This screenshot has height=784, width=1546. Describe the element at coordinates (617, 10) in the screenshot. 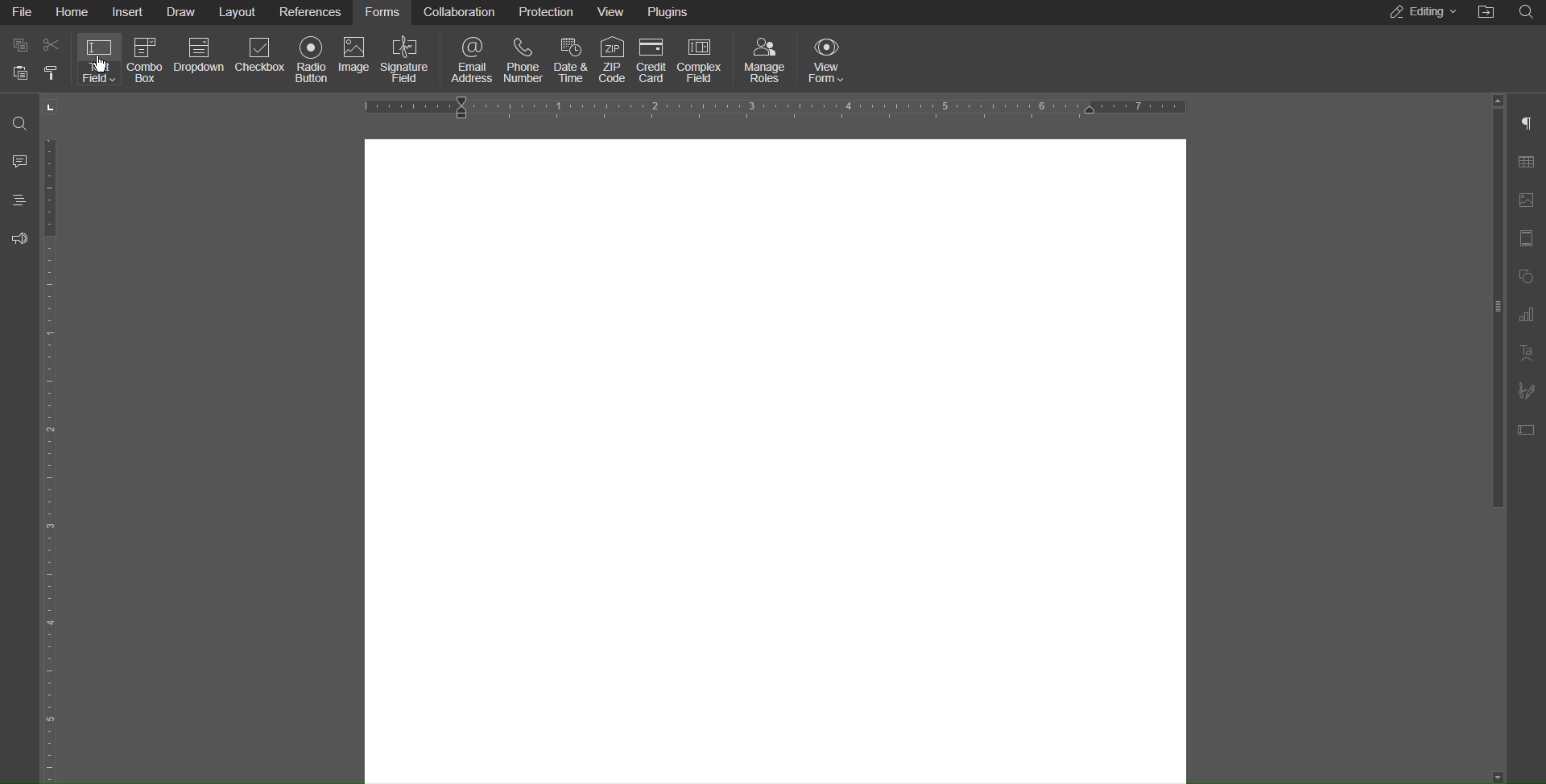

I see `View` at that location.